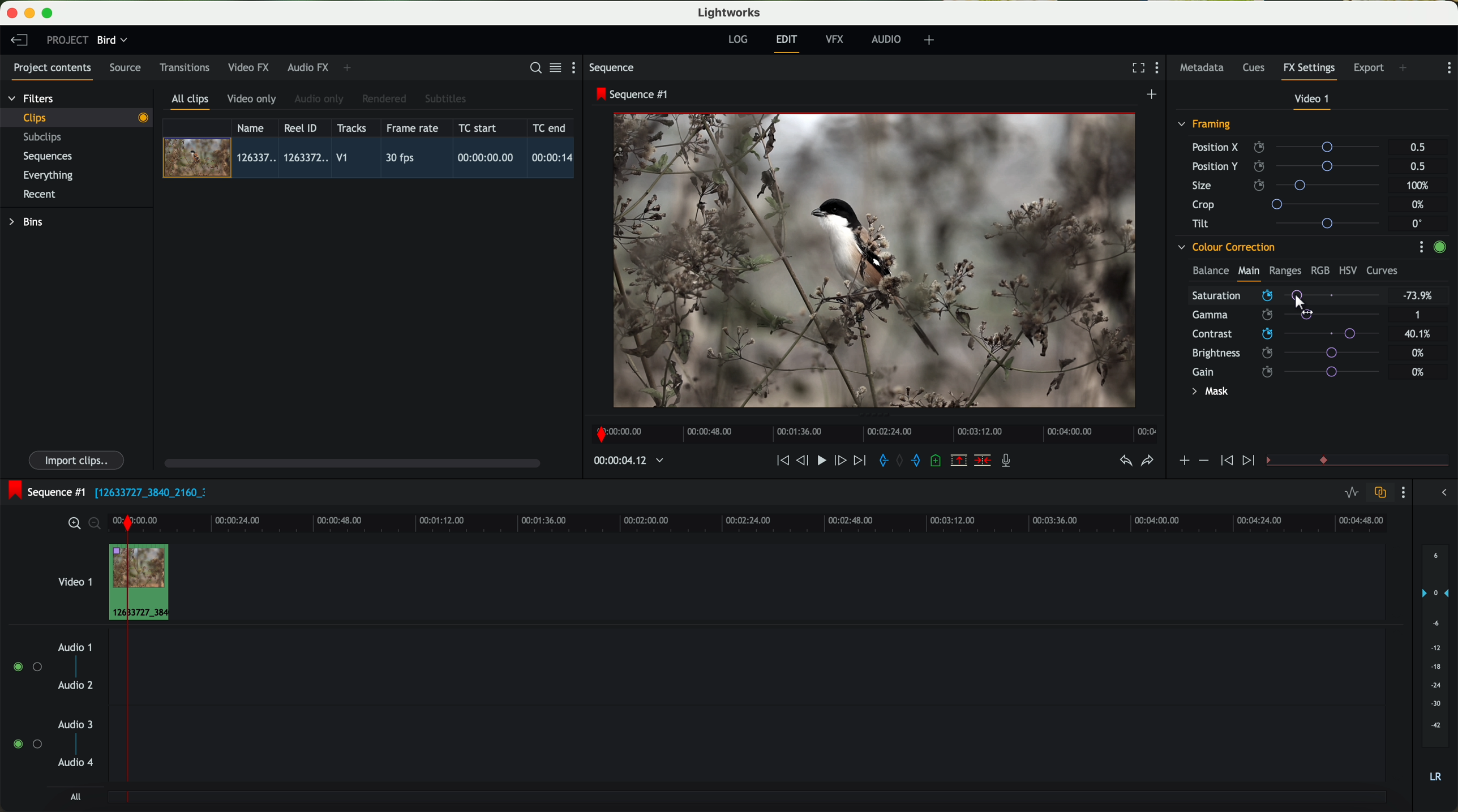 This screenshot has width=1458, height=812. Describe the element at coordinates (78, 459) in the screenshot. I see `import clips` at that location.